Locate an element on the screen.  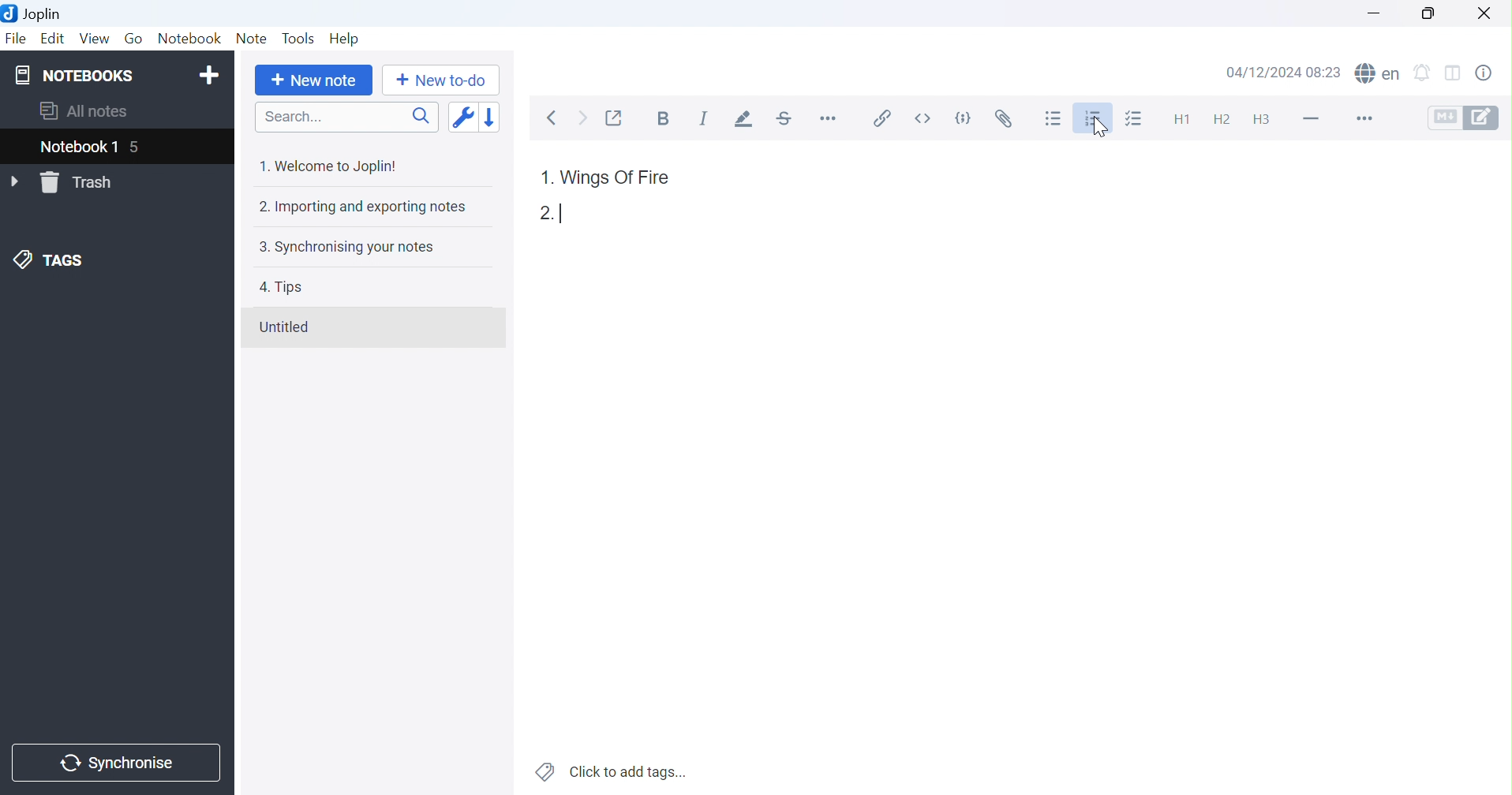
Cursor is located at coordinates (1104, 132).